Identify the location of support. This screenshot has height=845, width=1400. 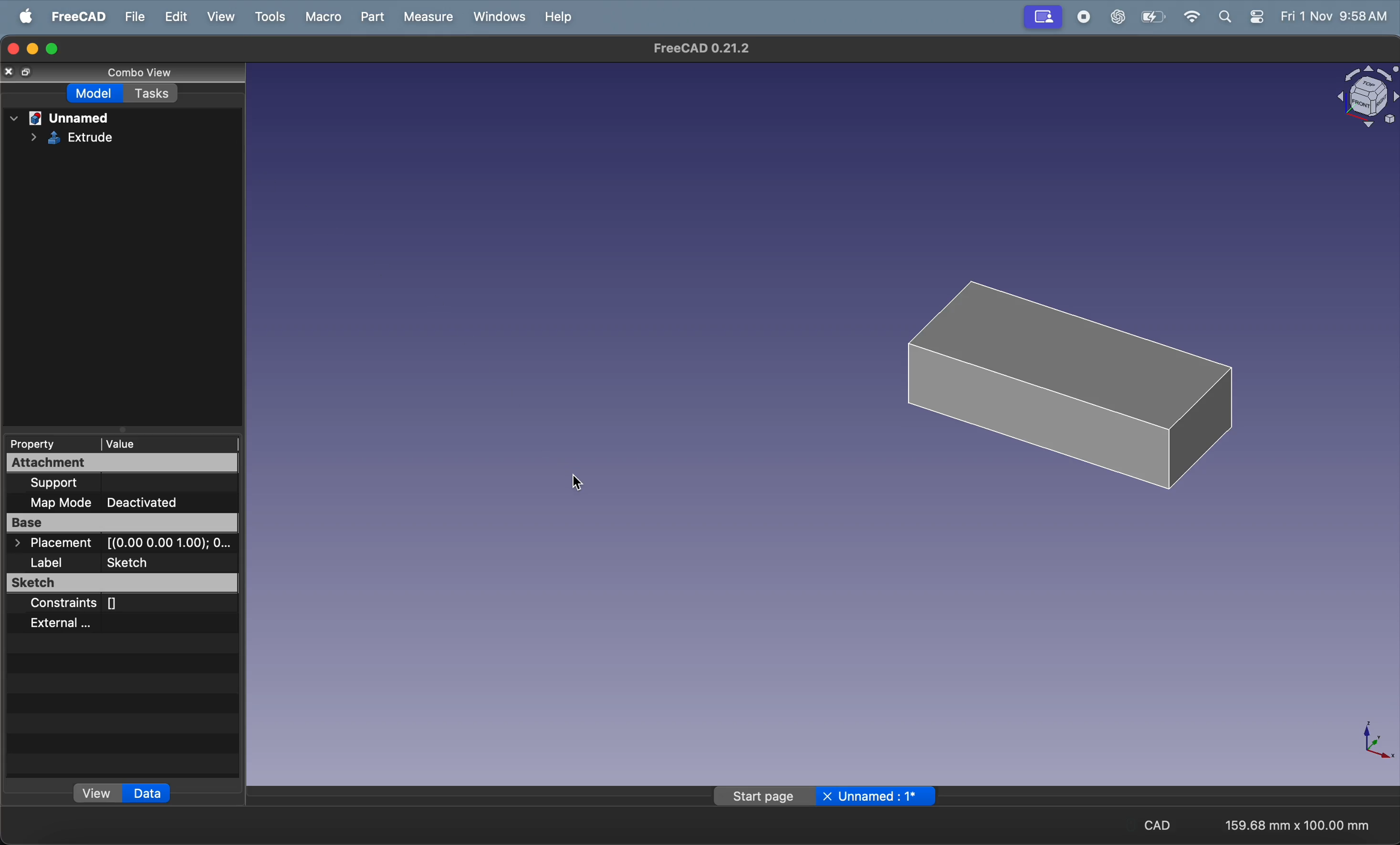
(111, 482).